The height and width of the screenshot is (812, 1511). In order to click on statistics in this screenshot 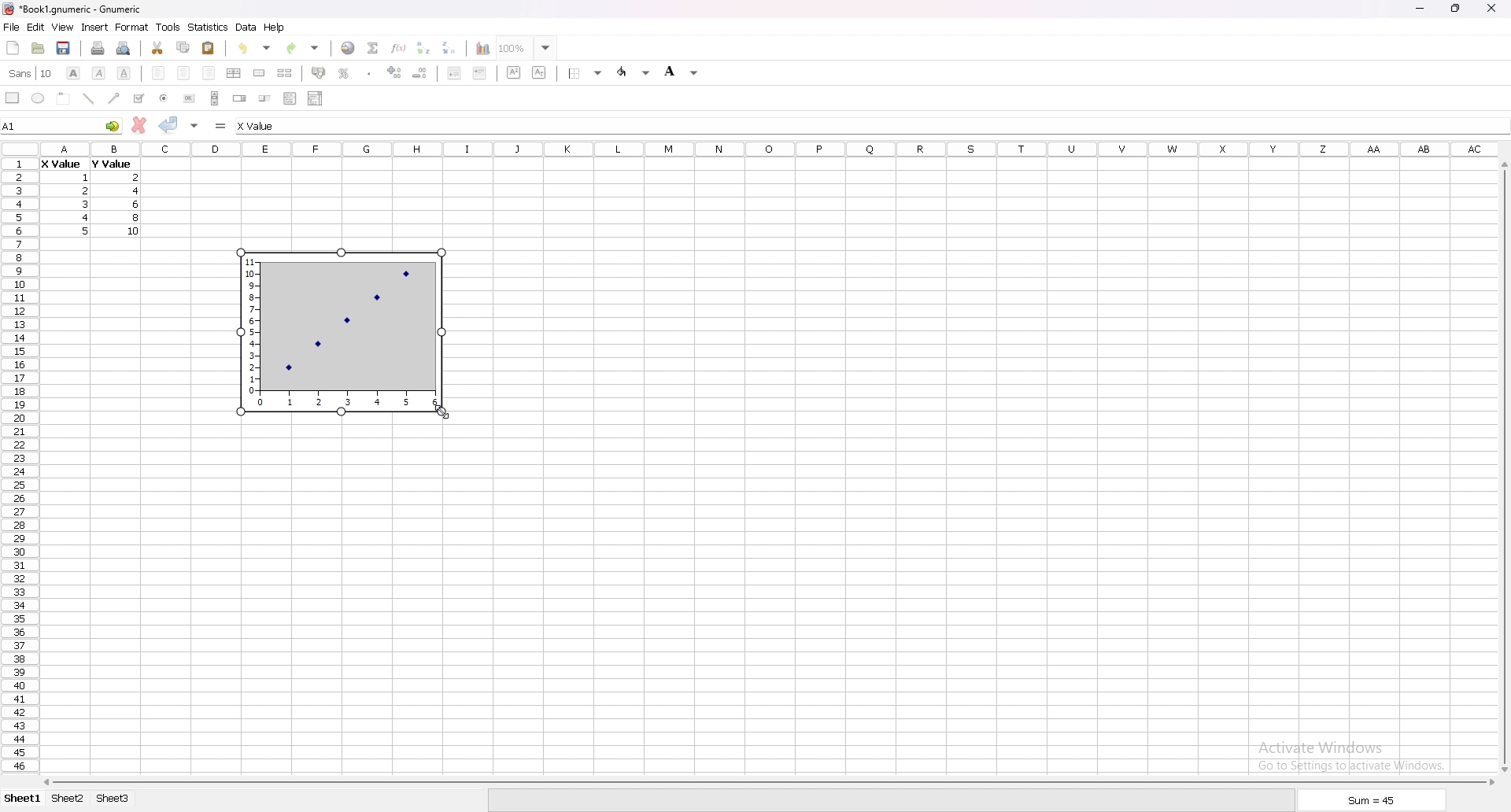, I will do `click(209, 27)`.